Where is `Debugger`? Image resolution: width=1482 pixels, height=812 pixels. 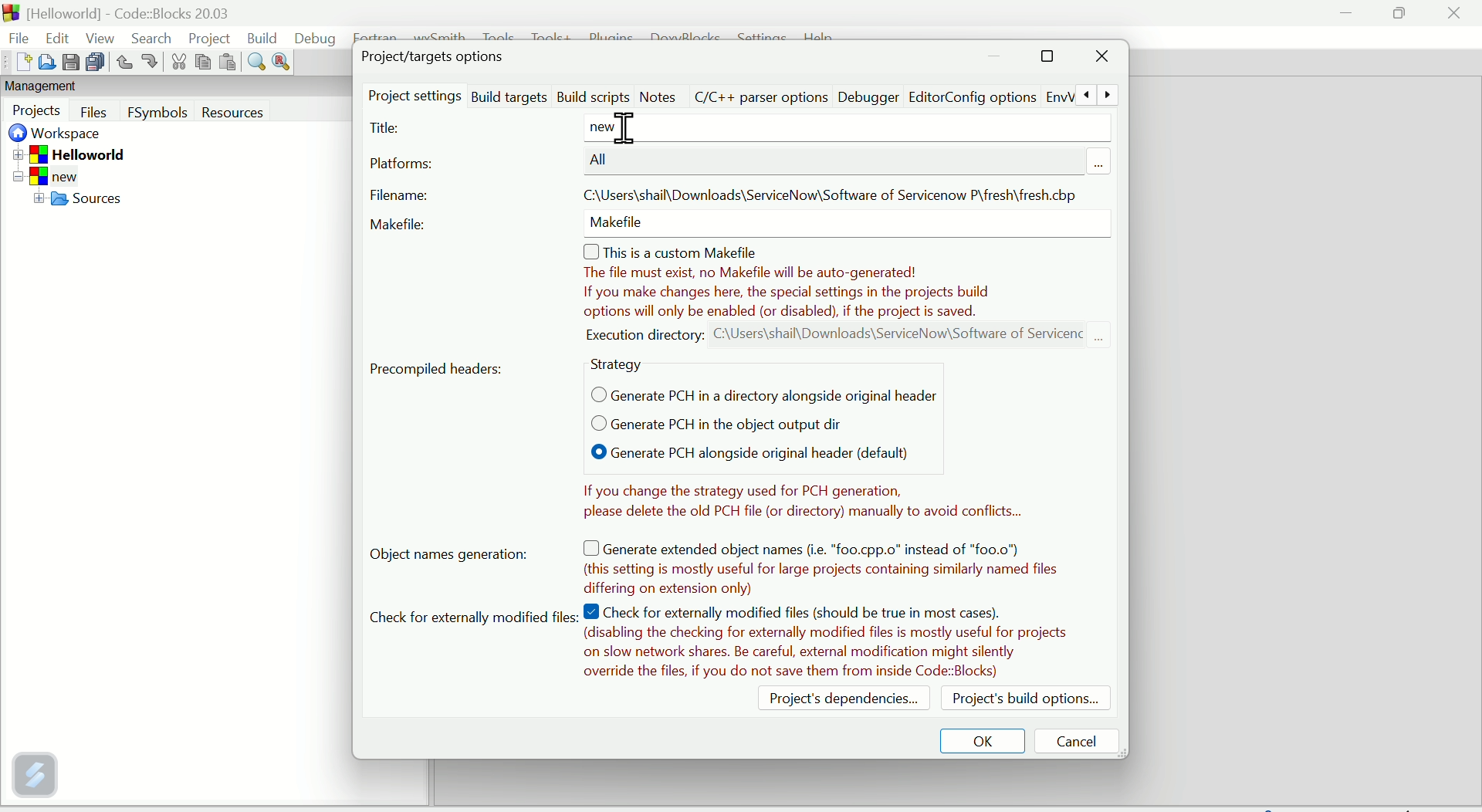
Debugger is located at coordinates (867, 97).